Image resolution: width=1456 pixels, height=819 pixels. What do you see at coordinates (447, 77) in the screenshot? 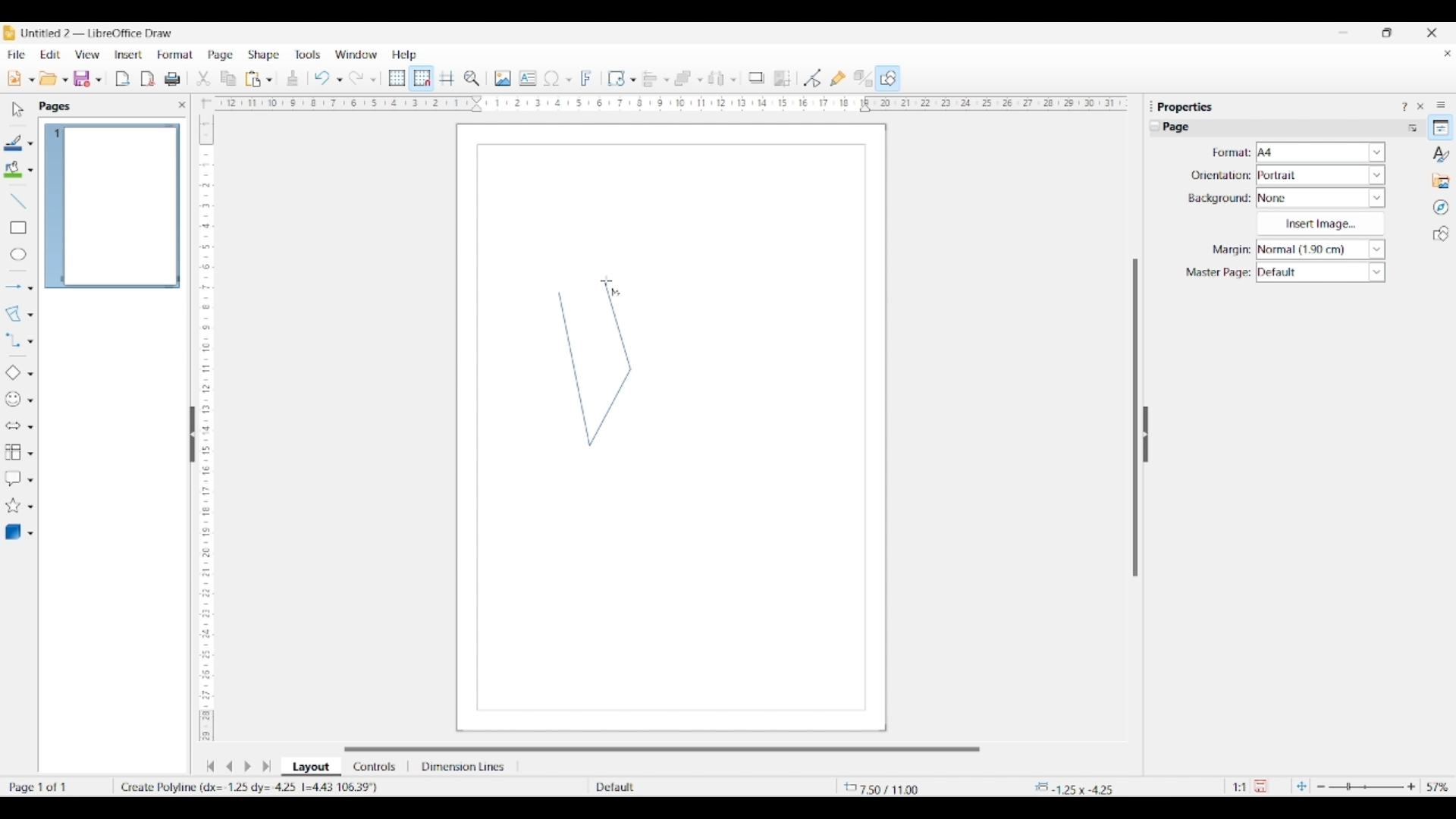
I see `Helplines while moving` at bounding box center [447, 77].